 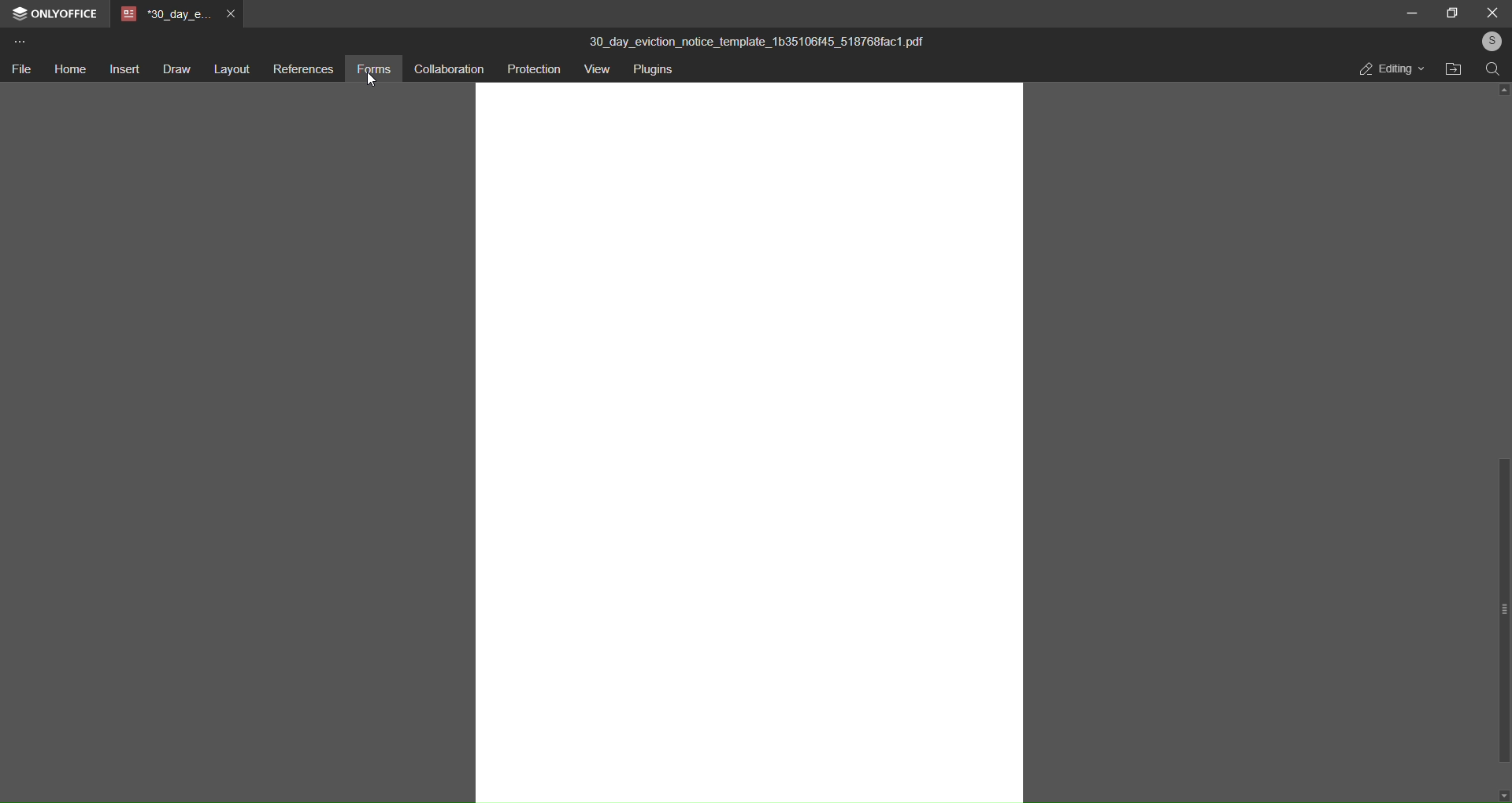 I want to click on close, so click(x=1492, y=13).